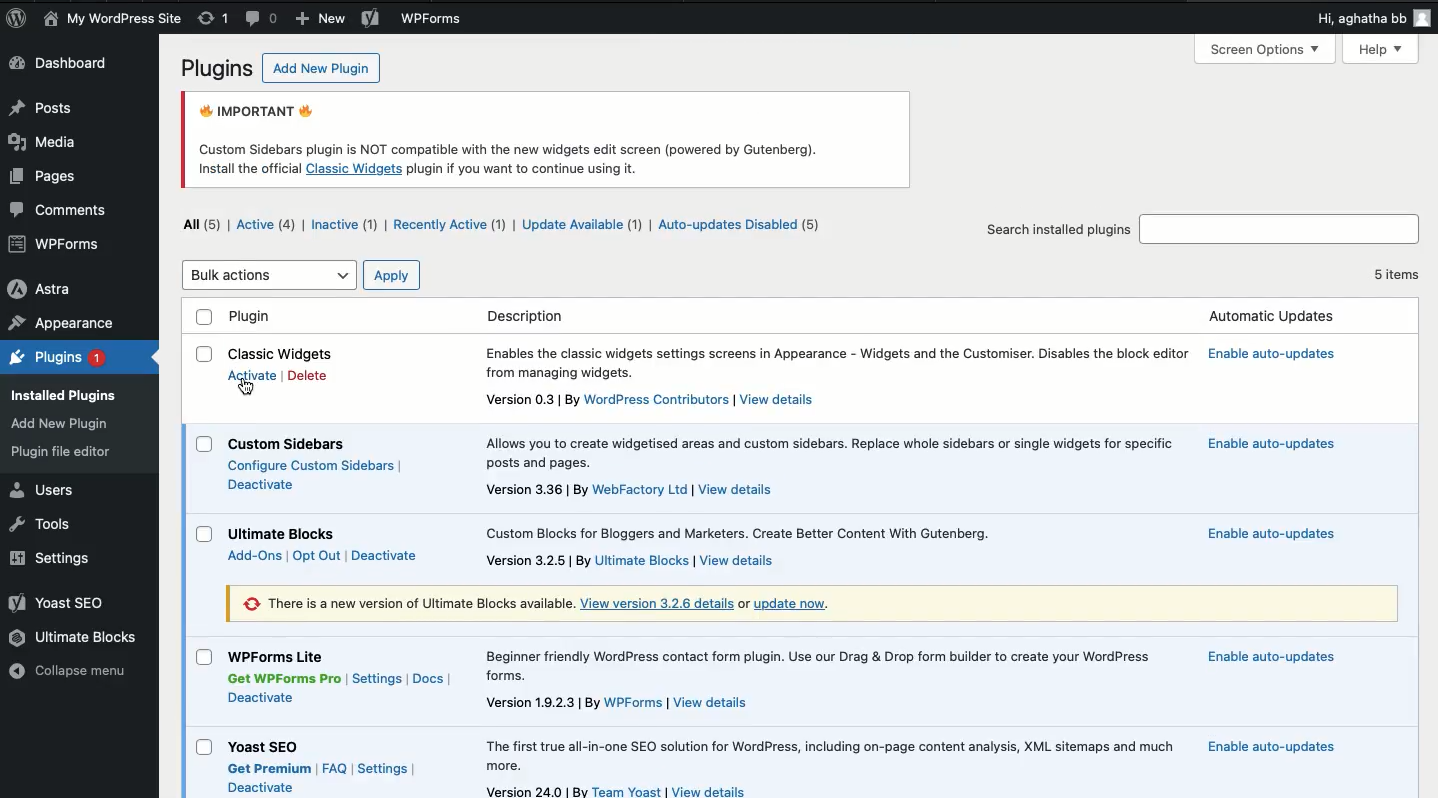 This screenshot has height=798, width=1438. Describe the element at coordinates (1382, 50) in the screenshot. I see `Help` at that location.